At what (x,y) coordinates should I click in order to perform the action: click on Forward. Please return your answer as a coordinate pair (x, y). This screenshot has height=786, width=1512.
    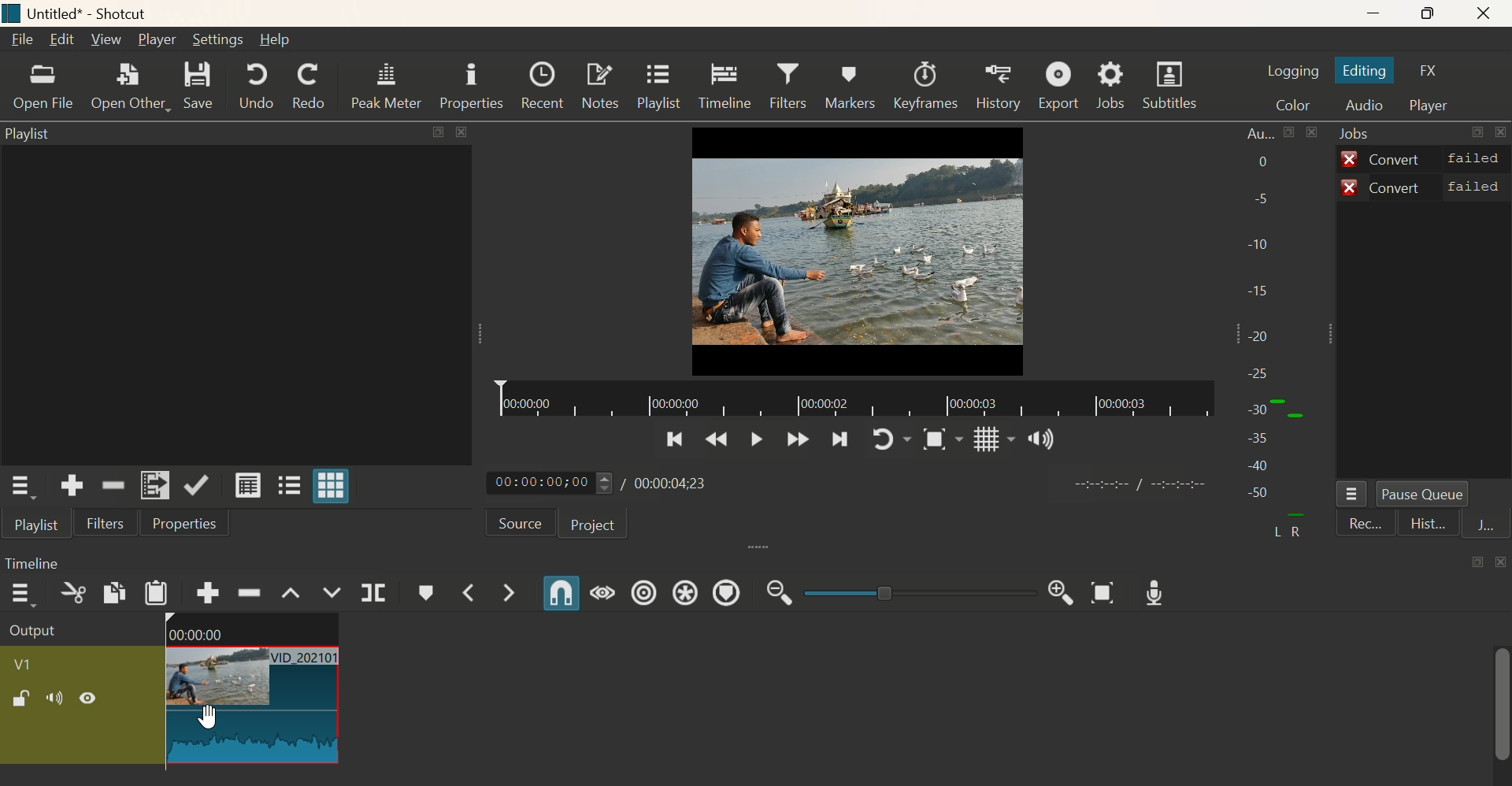
    Looking at the image, I should click on (795, 440).